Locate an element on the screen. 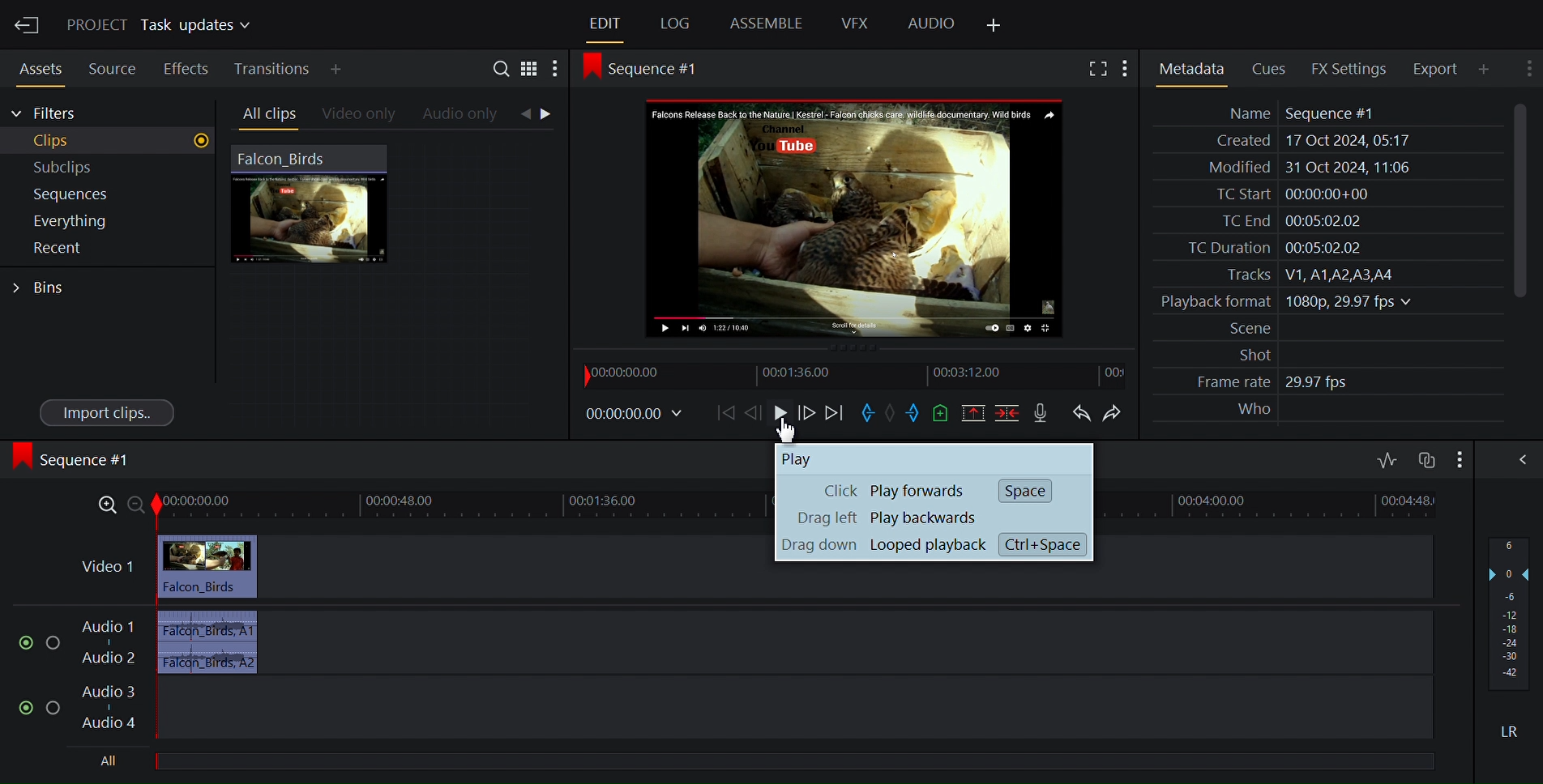  Add Panel is located at coordinates (1483, 68).